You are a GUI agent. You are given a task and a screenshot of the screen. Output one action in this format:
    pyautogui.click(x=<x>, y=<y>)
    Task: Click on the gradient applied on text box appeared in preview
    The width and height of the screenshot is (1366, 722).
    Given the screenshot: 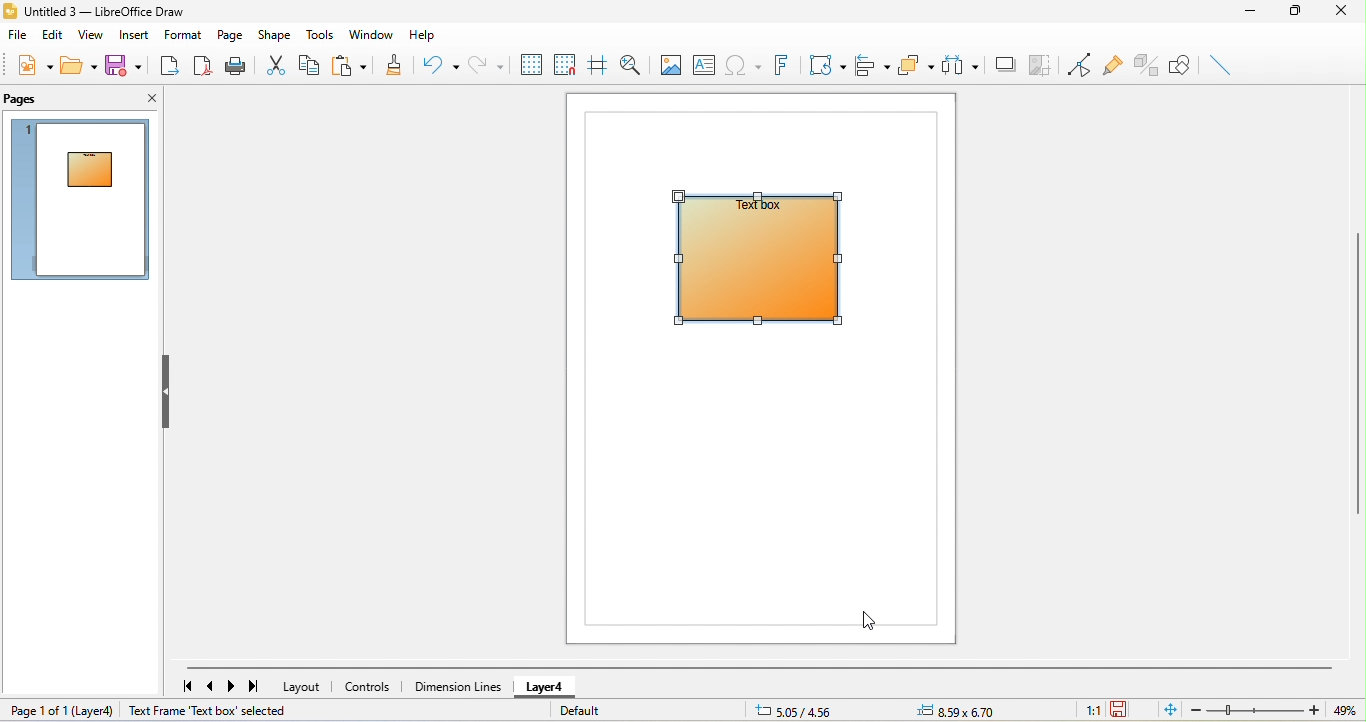 What is the action you would take?
    pyautogui.click(x=82, y=200)
    